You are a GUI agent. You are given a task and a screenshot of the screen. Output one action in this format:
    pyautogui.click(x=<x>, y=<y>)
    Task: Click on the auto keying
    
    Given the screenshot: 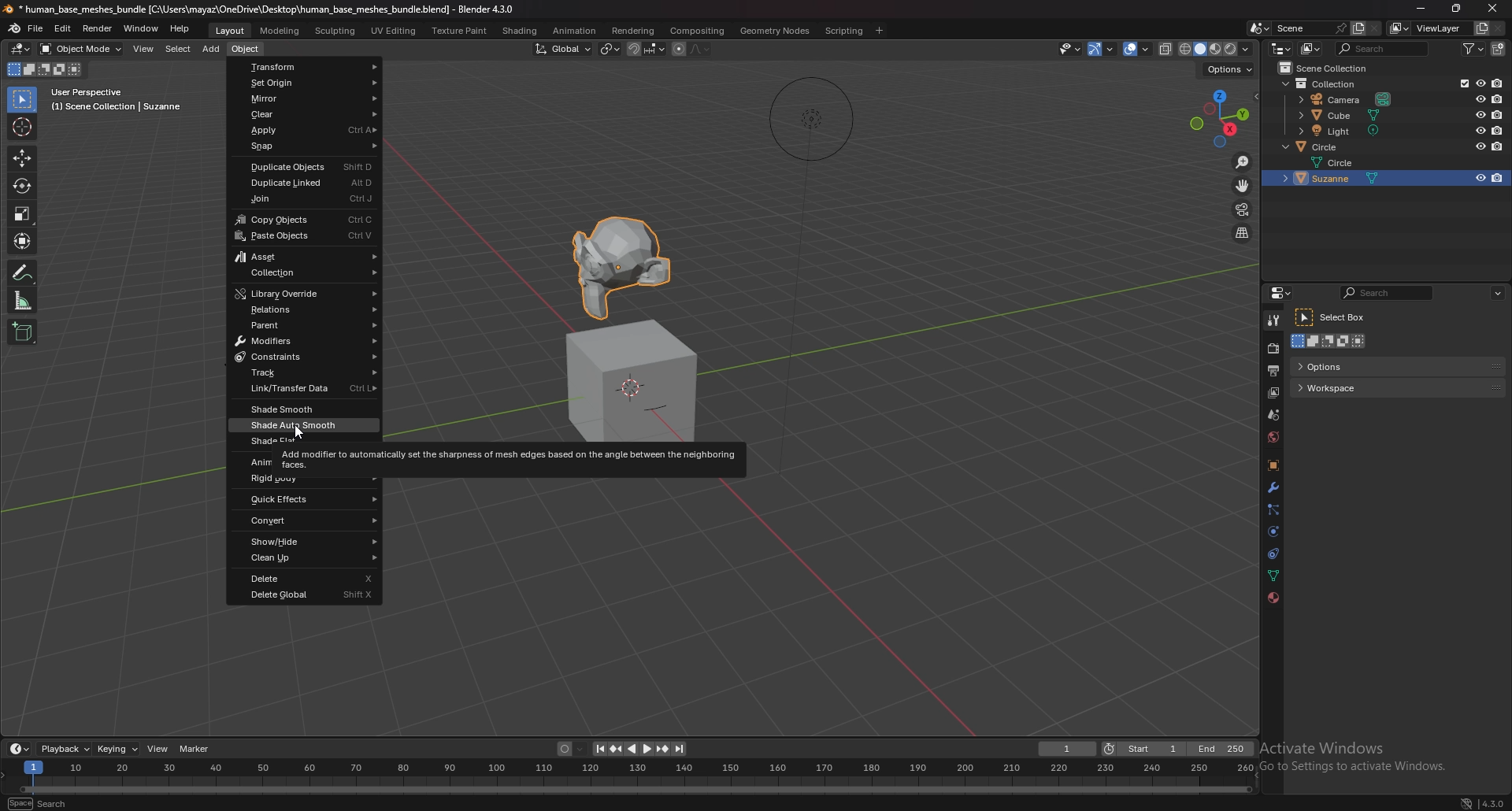 What is the action you would take?
    pyautogui.click(x=569, y=747)
    